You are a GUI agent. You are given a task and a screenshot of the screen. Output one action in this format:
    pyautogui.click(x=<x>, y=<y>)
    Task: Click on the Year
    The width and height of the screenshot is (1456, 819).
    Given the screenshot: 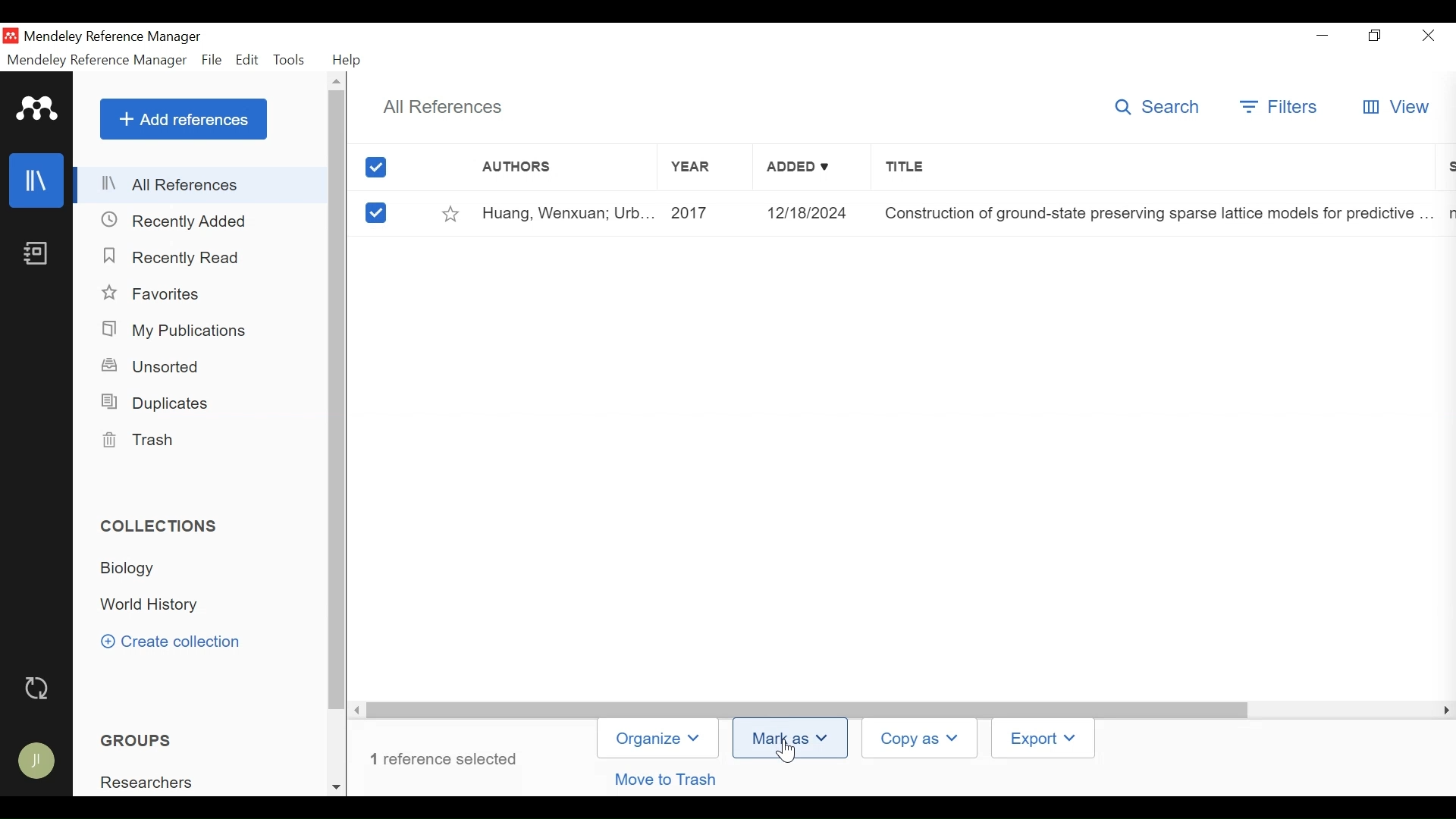 What is the action you would take?
    pyautogui.click(x=709, y=214)
    